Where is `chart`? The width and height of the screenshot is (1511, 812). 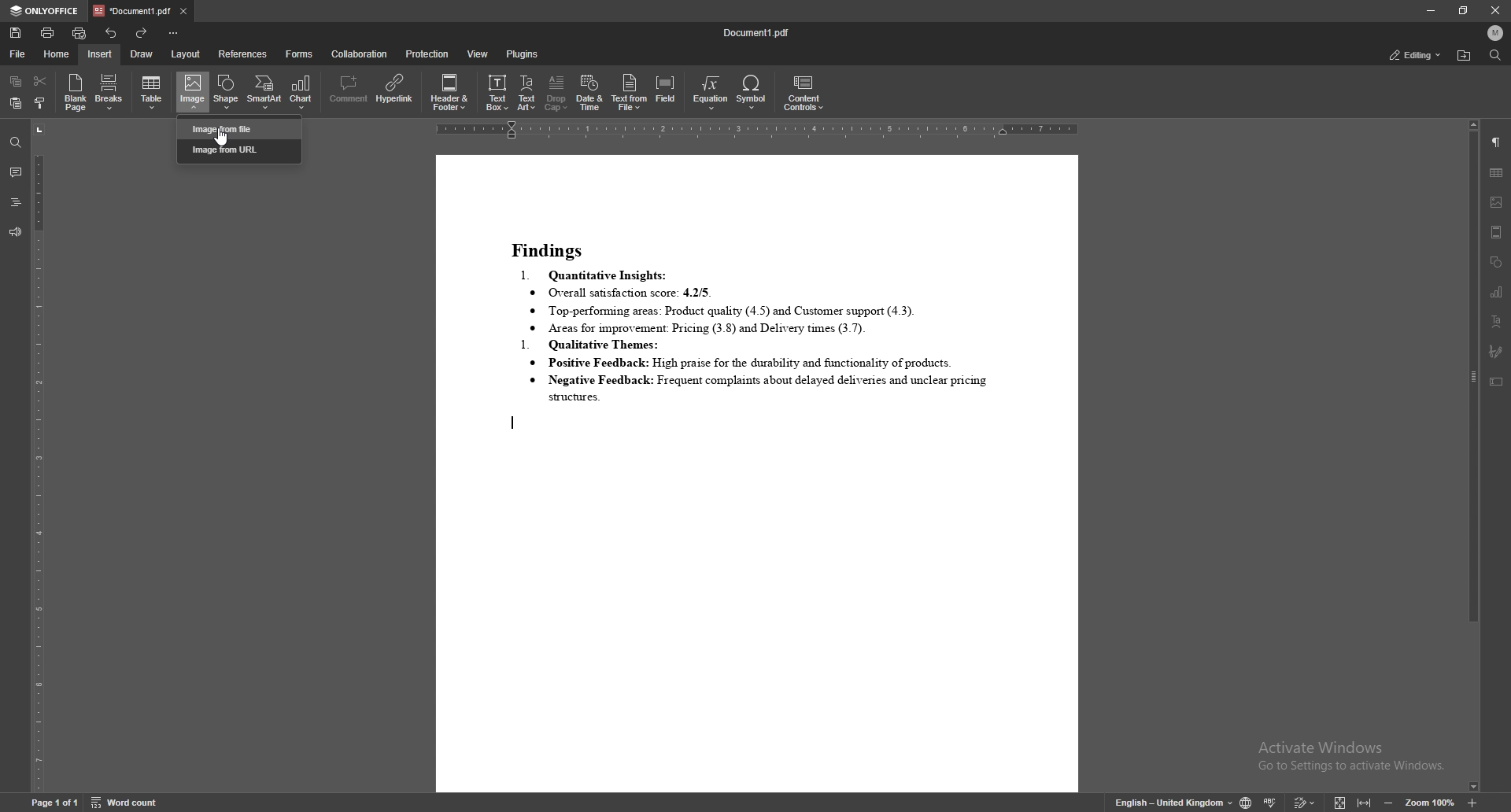 chart is located at coordinates (1497, 291).